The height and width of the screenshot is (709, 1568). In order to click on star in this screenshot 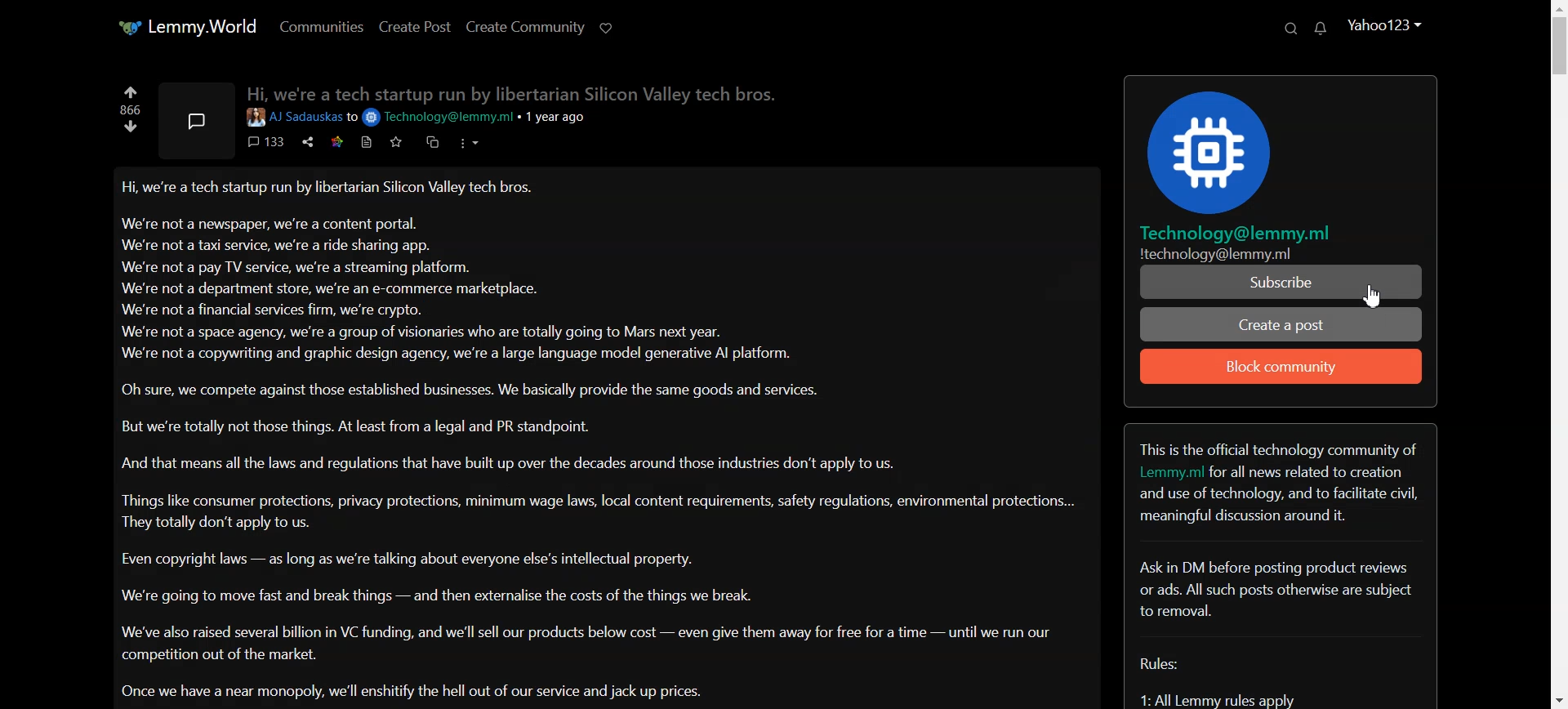, I will do `click(334, 141)`.